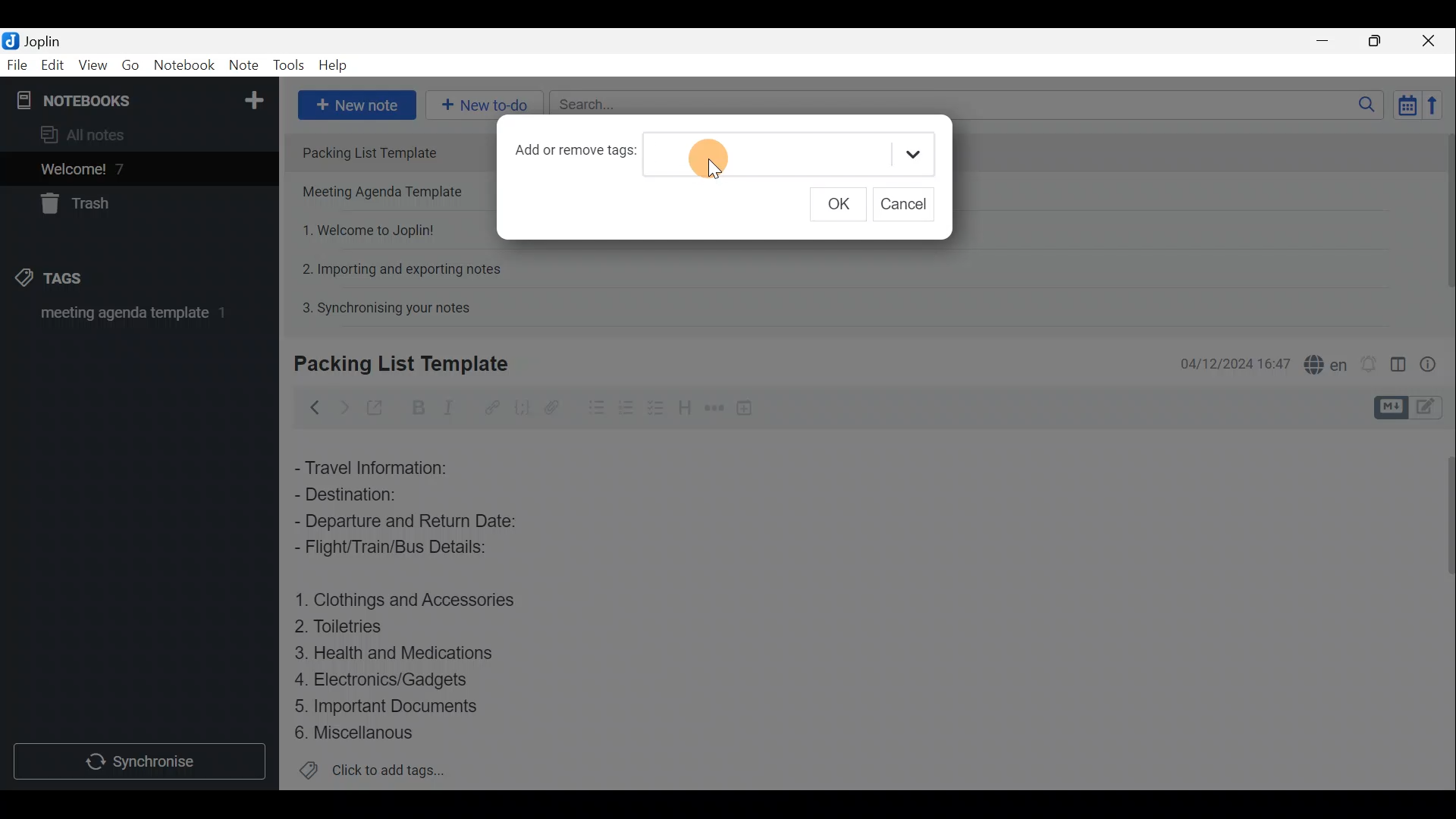 Image resolution: width=1456 pixels, height=819 pixels. What do you see at coordinates (657, 407) in the screenshot?
I see `Numbered list` at bounding box center [657, 407].